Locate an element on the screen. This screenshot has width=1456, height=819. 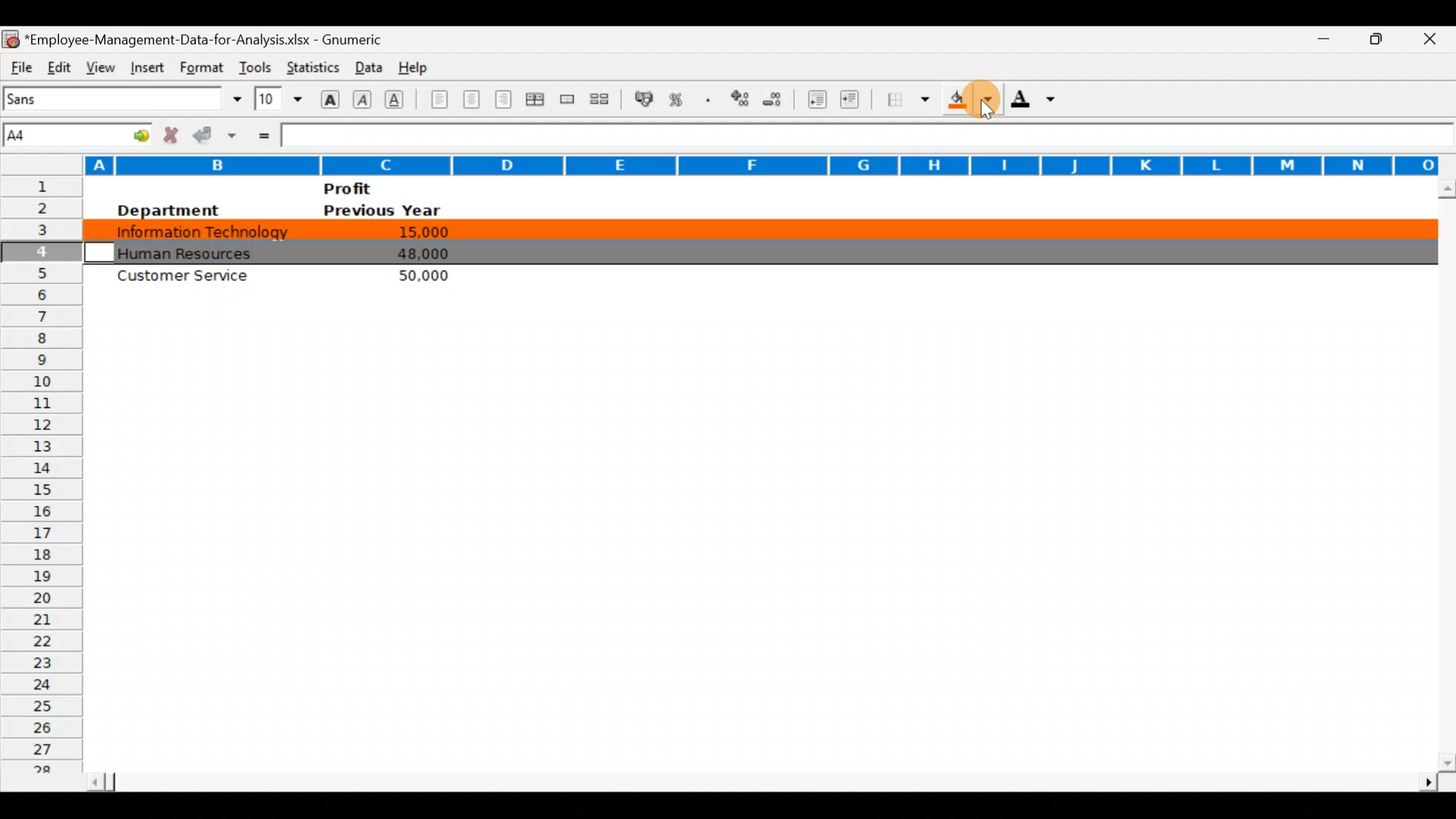
Increase decimals is located at coordinates (742, 98).